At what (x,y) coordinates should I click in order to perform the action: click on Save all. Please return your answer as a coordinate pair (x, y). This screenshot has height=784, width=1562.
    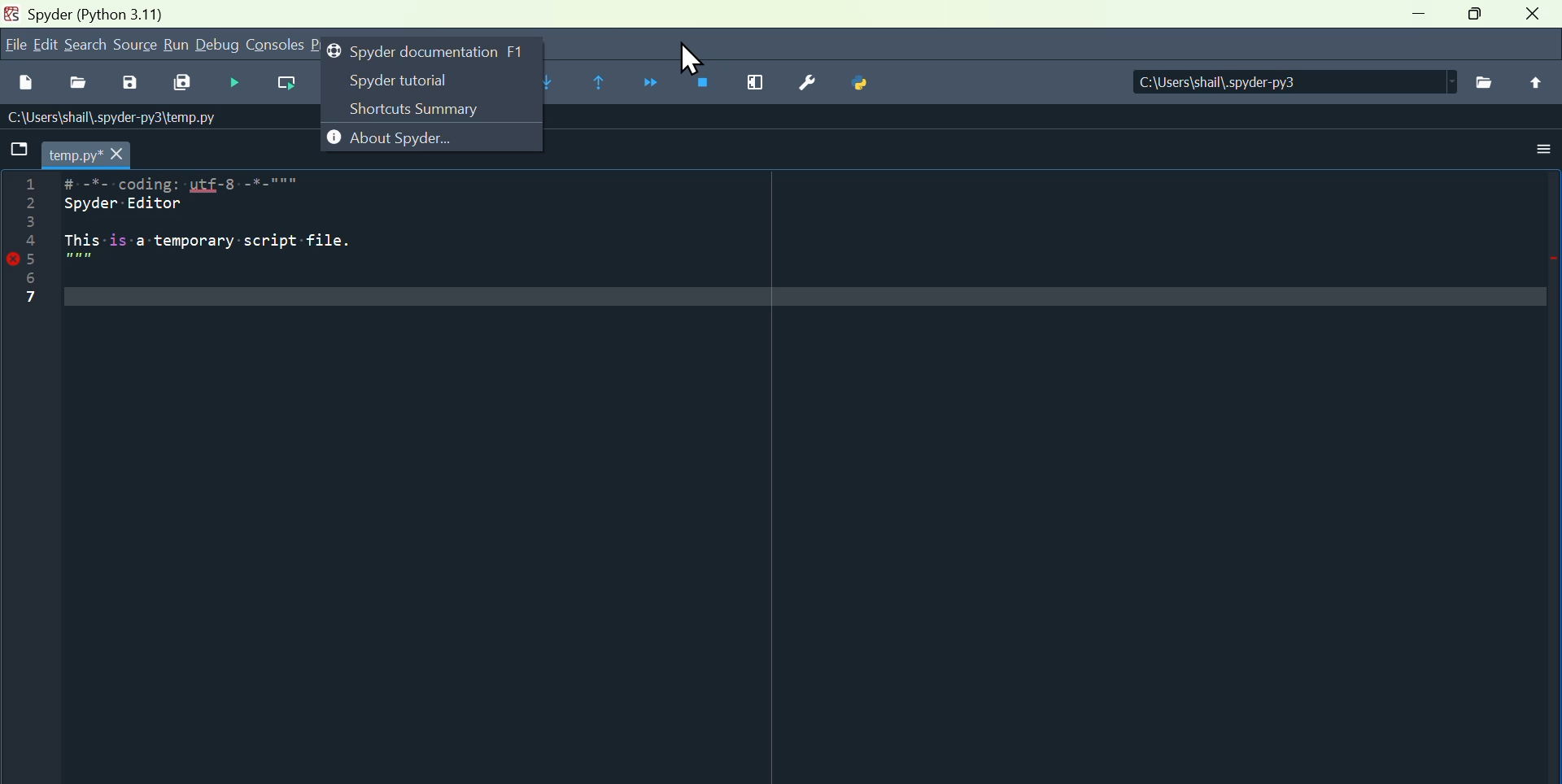
    Looking at the image, I should click on (183, 85).